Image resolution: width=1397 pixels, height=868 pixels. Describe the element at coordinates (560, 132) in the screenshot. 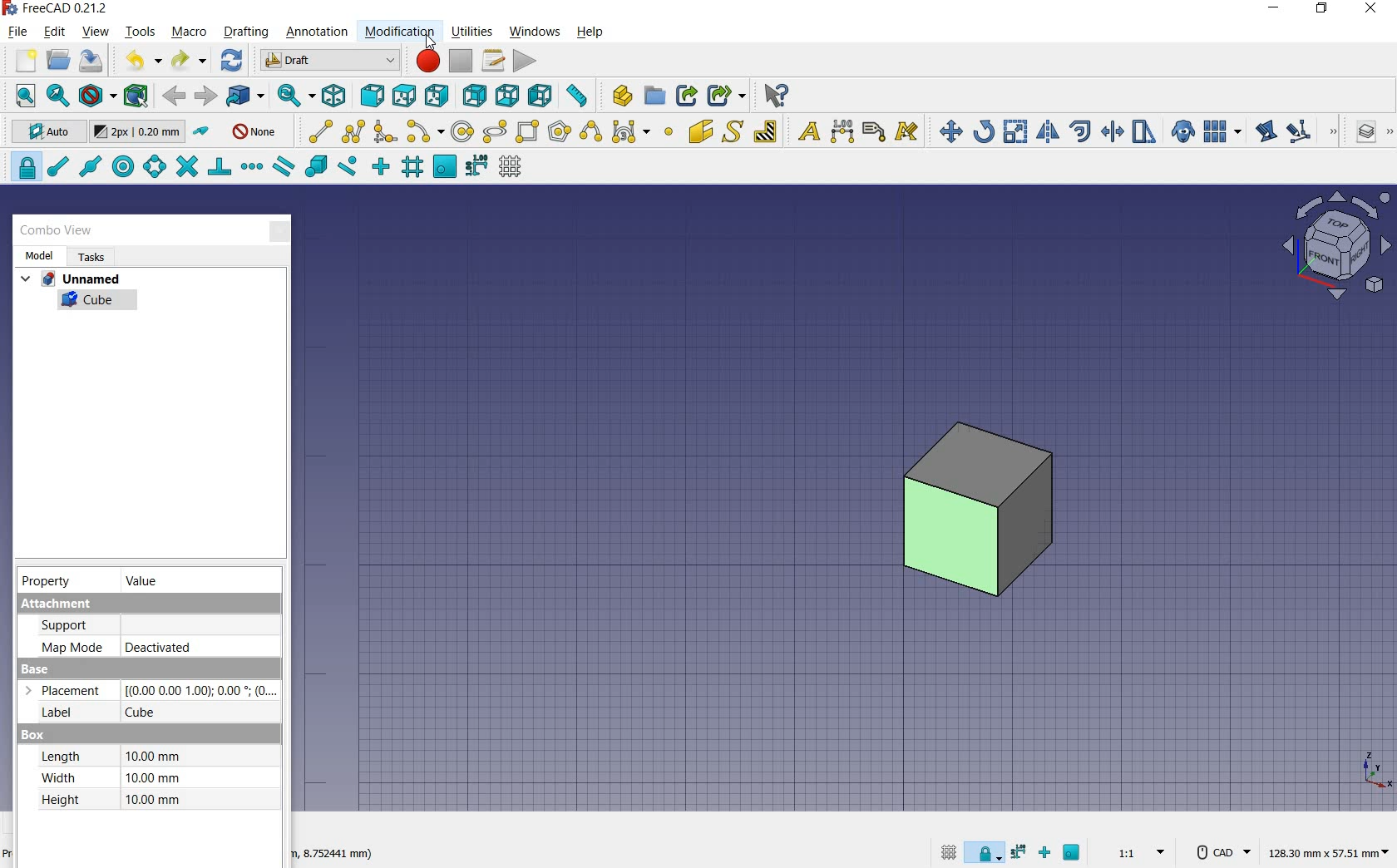

I see `polygon` at that location.